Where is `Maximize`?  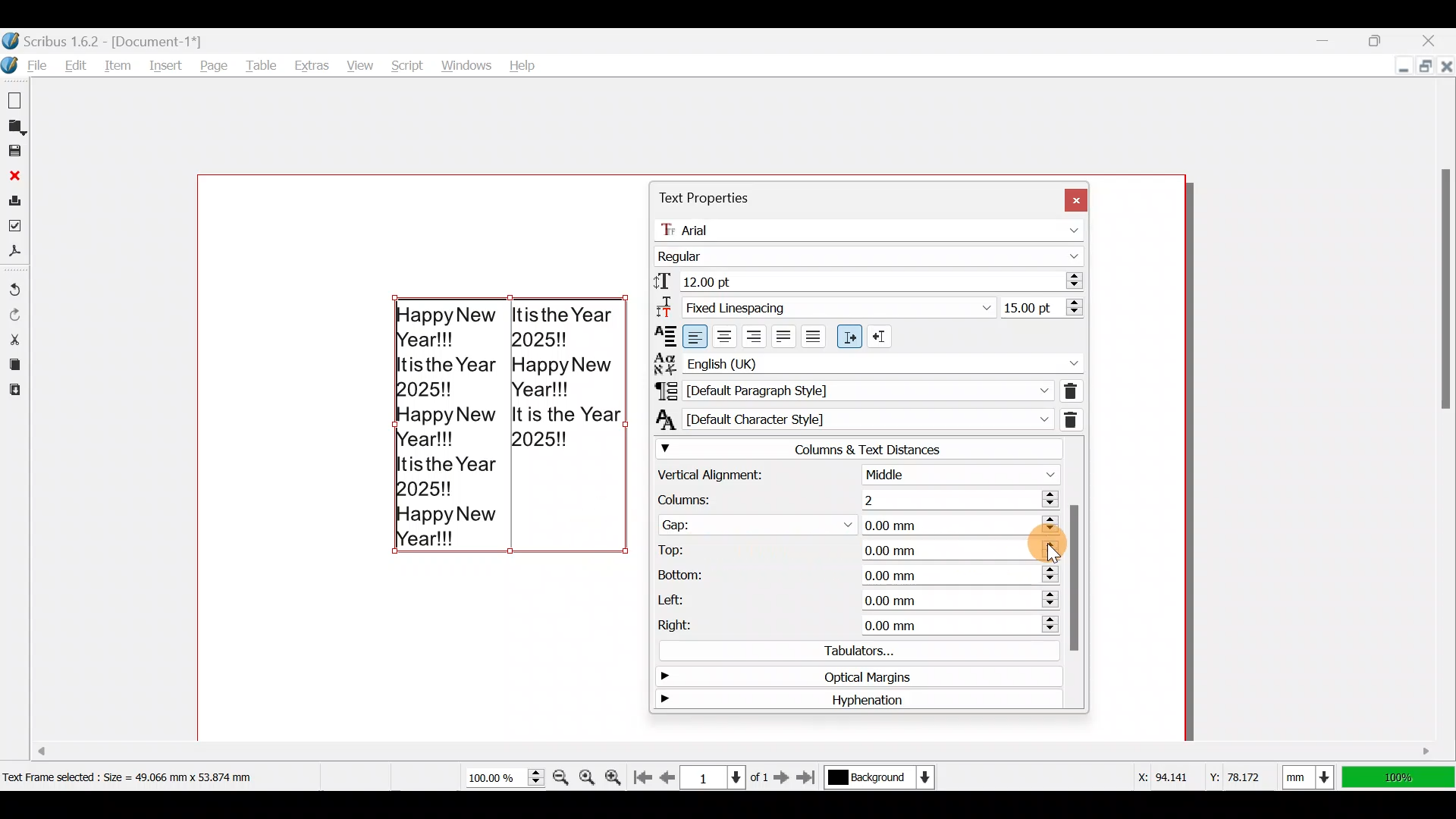 Maximize is located at coordinates (1382, 37).